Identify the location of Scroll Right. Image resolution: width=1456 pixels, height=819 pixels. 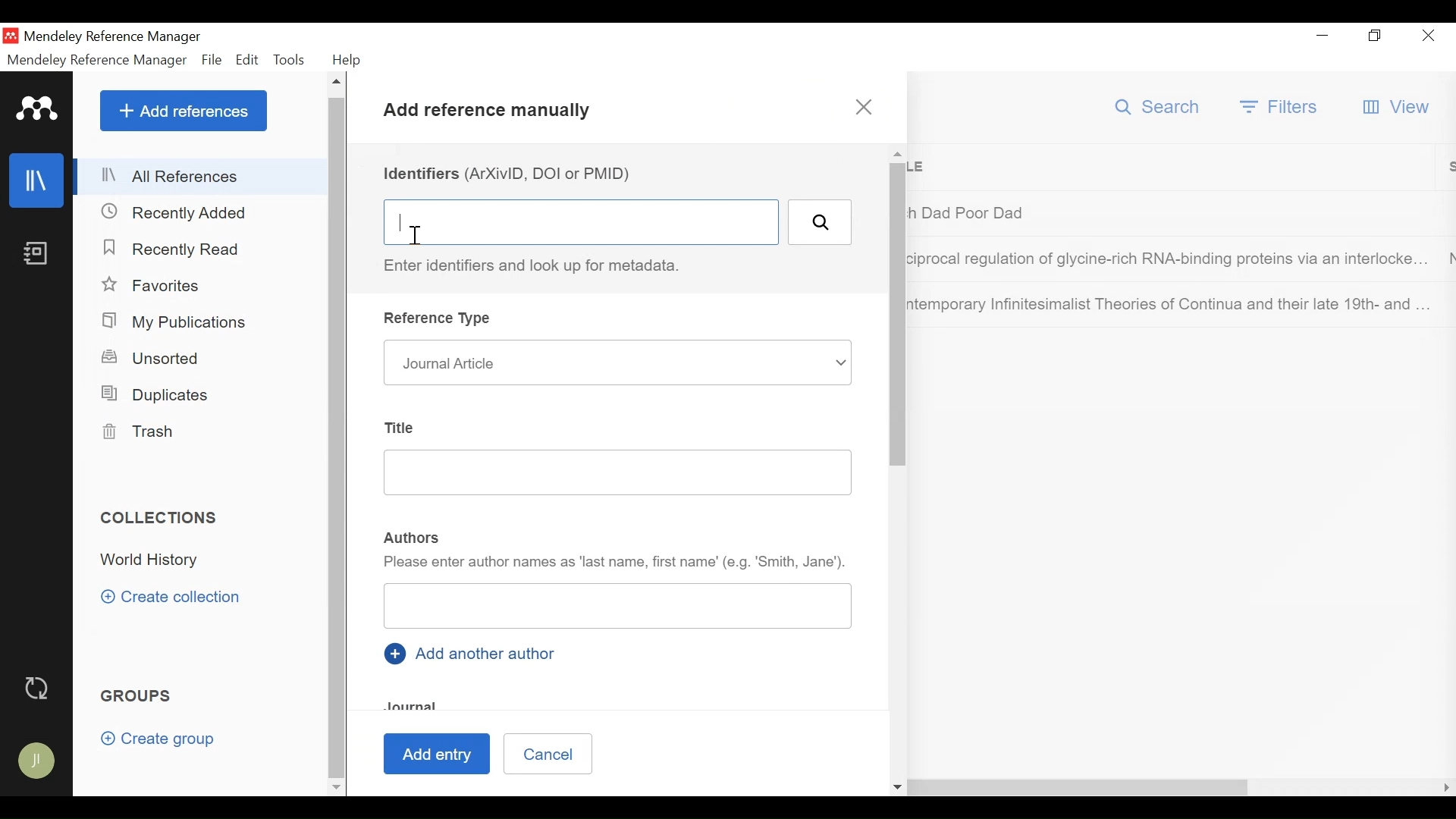
(1447, 788).